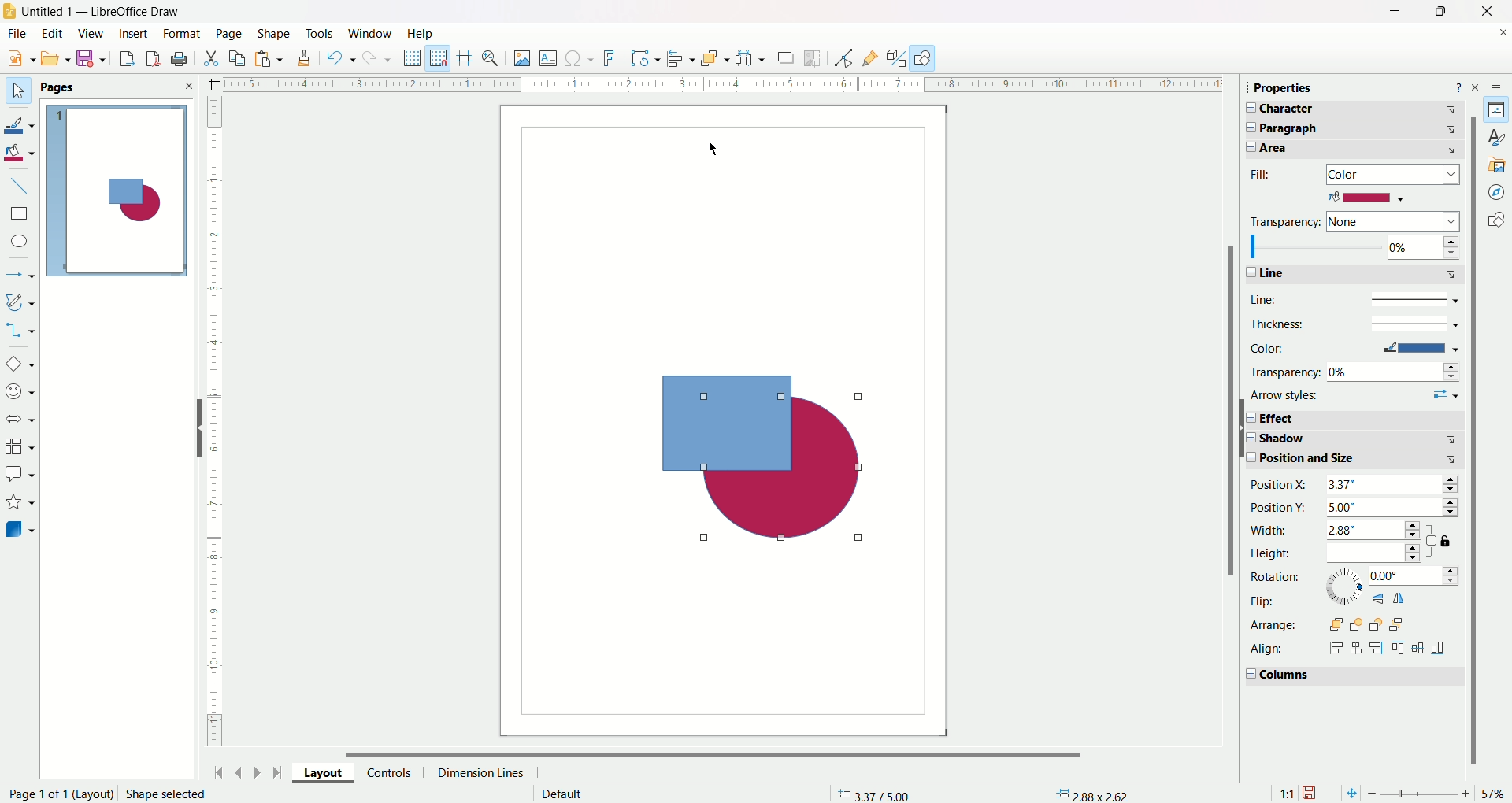 The width and height of the screenshot is (1512, 803). I want to click on color, so click(1366, 198).